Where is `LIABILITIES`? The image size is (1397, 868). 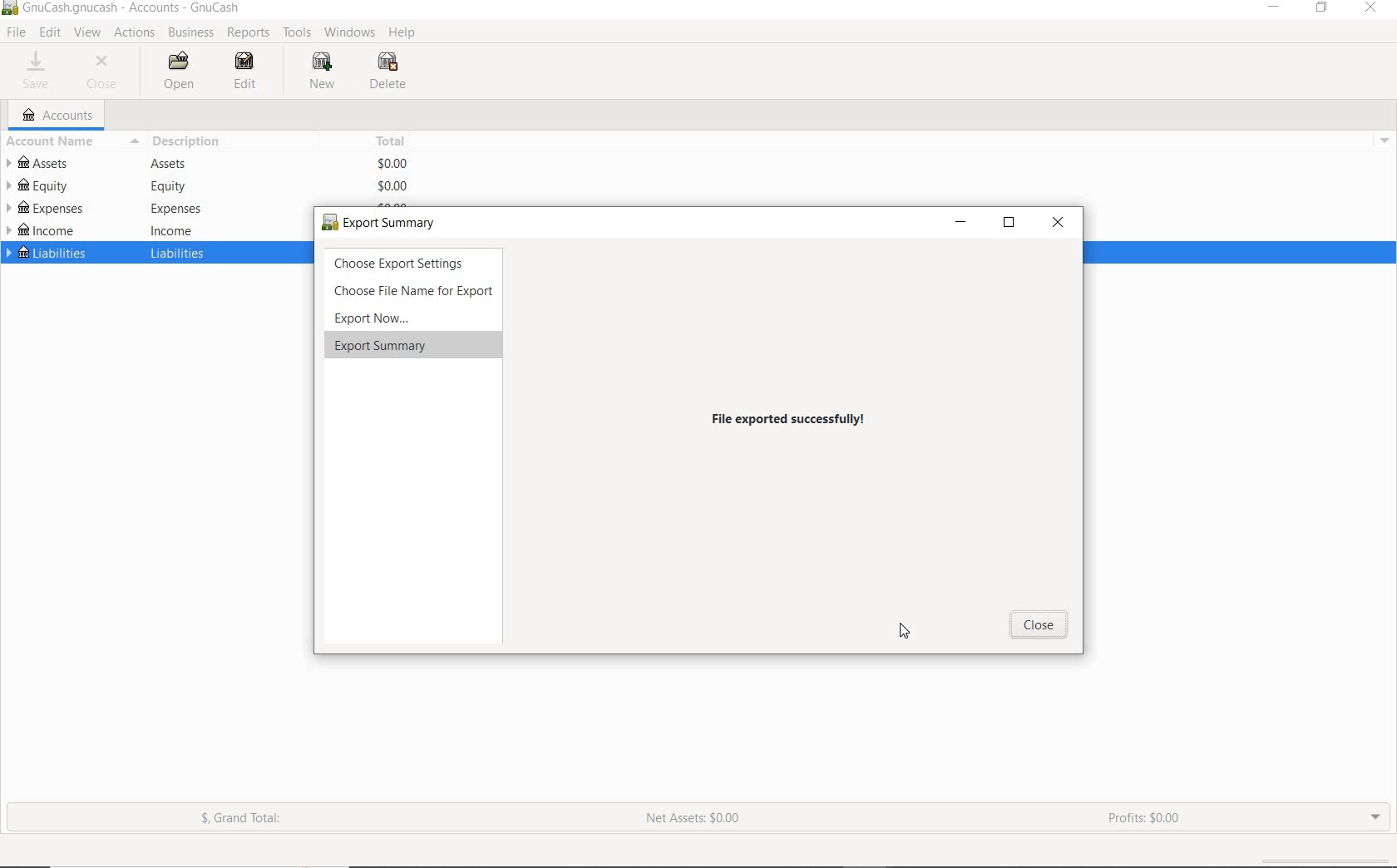
LIABILITIES is located at coordinates (46, 255).